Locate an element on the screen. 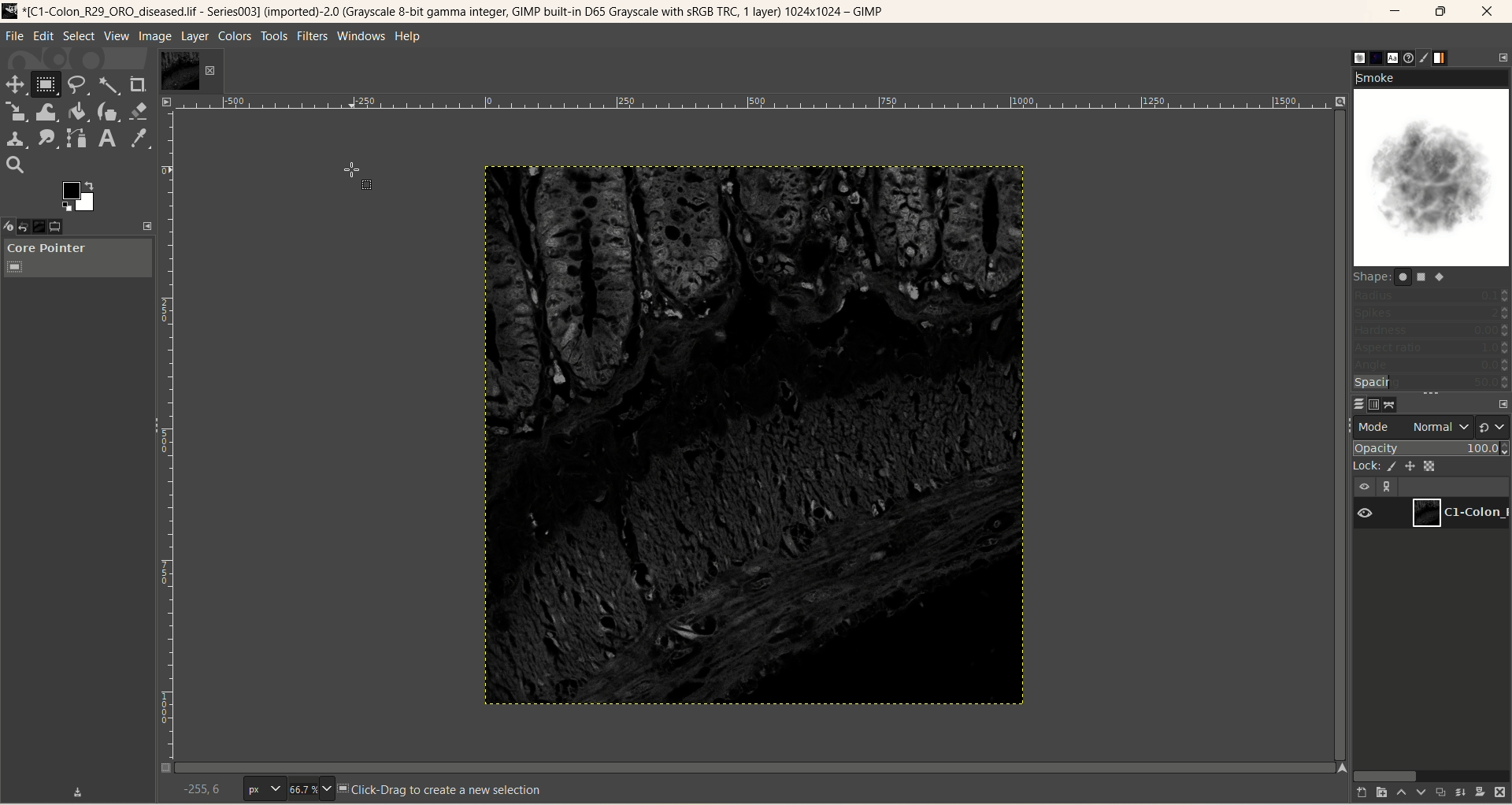 This screenshot has height=805, width=1512. pixels is located at coordinates (267, 788).